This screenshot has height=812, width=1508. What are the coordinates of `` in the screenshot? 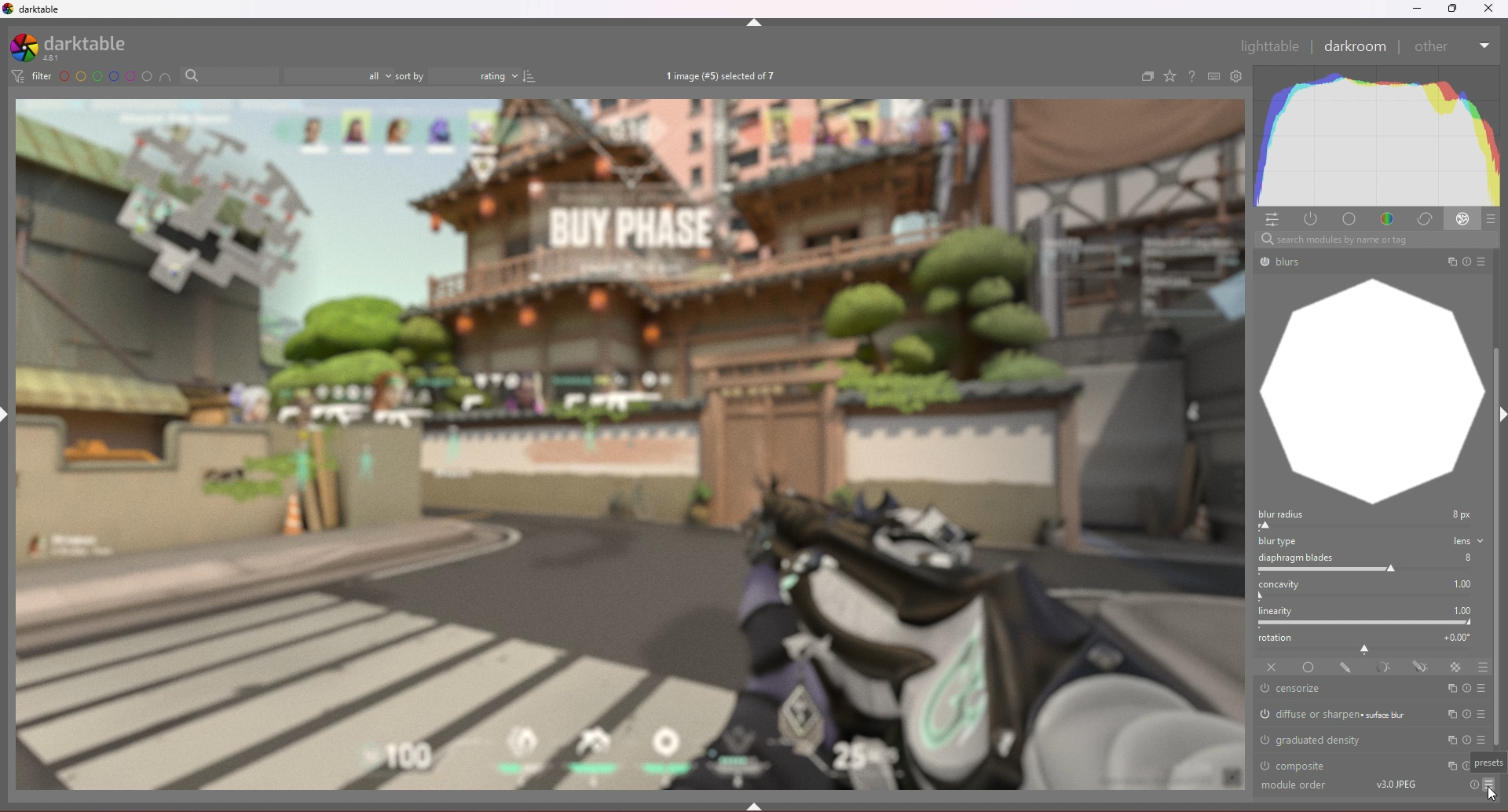 It's located at (1268, 46).